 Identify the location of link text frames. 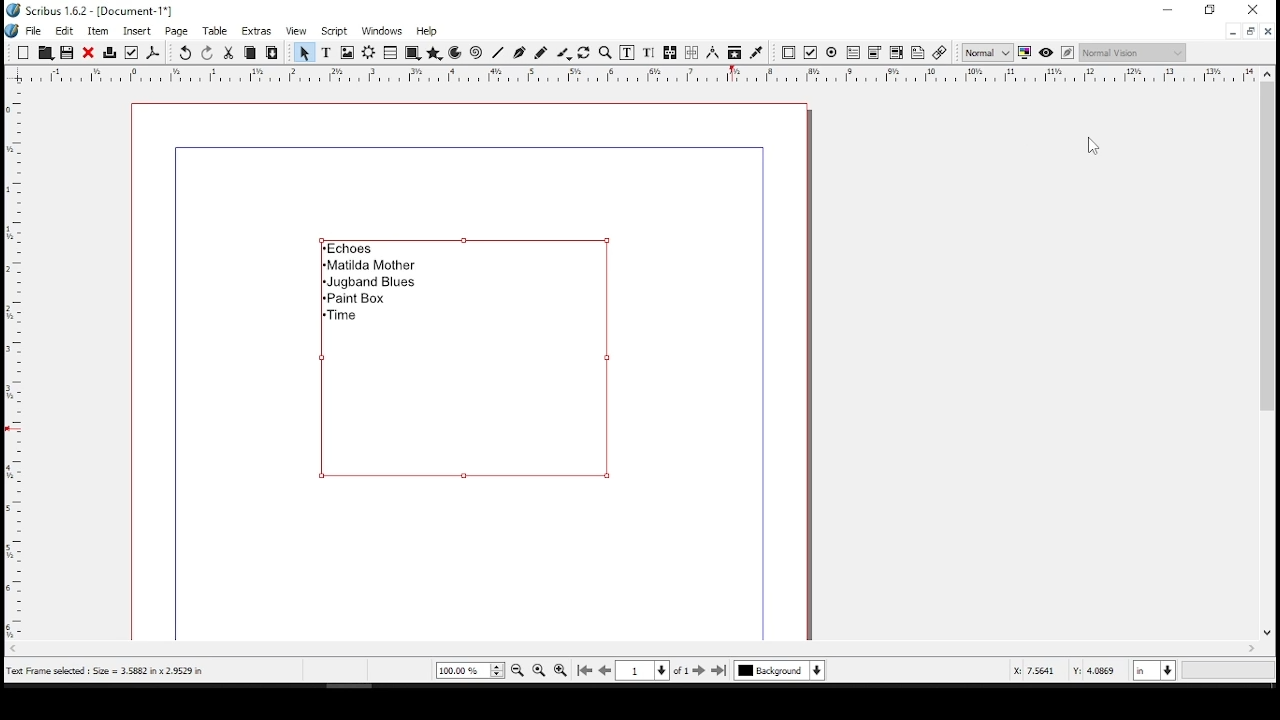
(670, 54).